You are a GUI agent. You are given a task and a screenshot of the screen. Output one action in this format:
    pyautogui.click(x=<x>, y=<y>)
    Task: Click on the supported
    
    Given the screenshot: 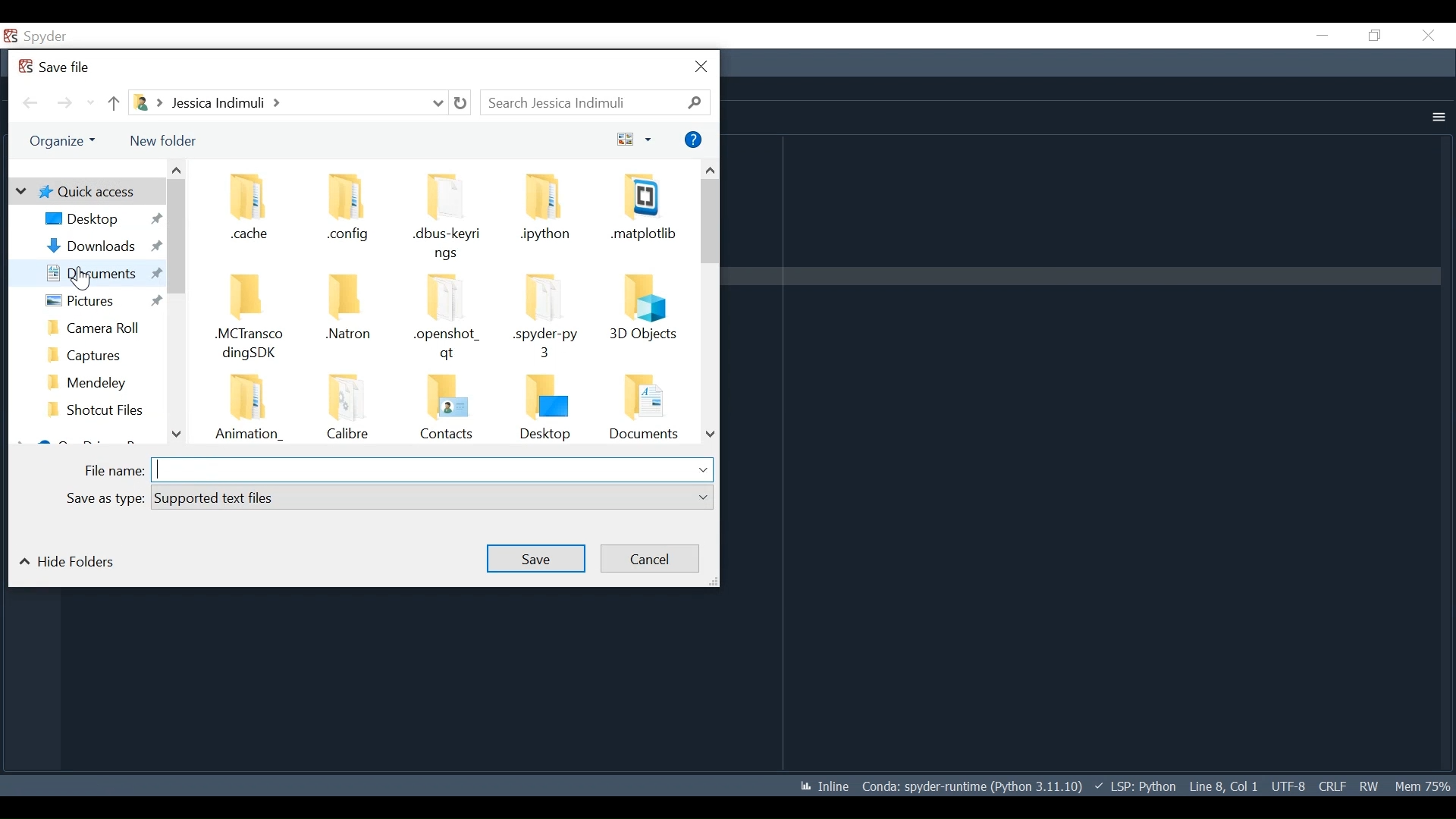 What is the action you would take?
    pyautogui.click(x=430, y=497)
    